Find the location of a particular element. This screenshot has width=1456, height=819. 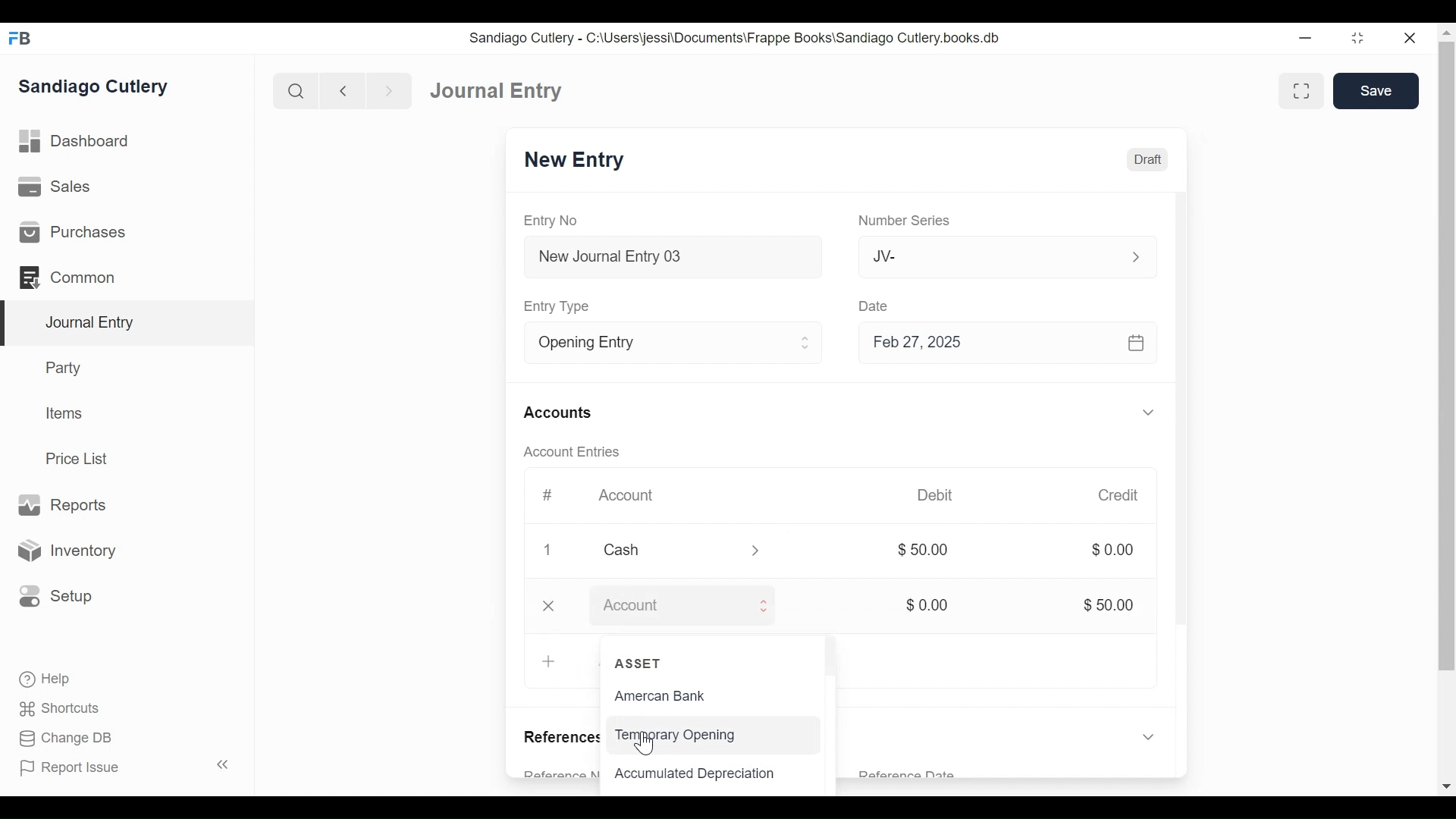

Debit is located at coordinates (935, 494).